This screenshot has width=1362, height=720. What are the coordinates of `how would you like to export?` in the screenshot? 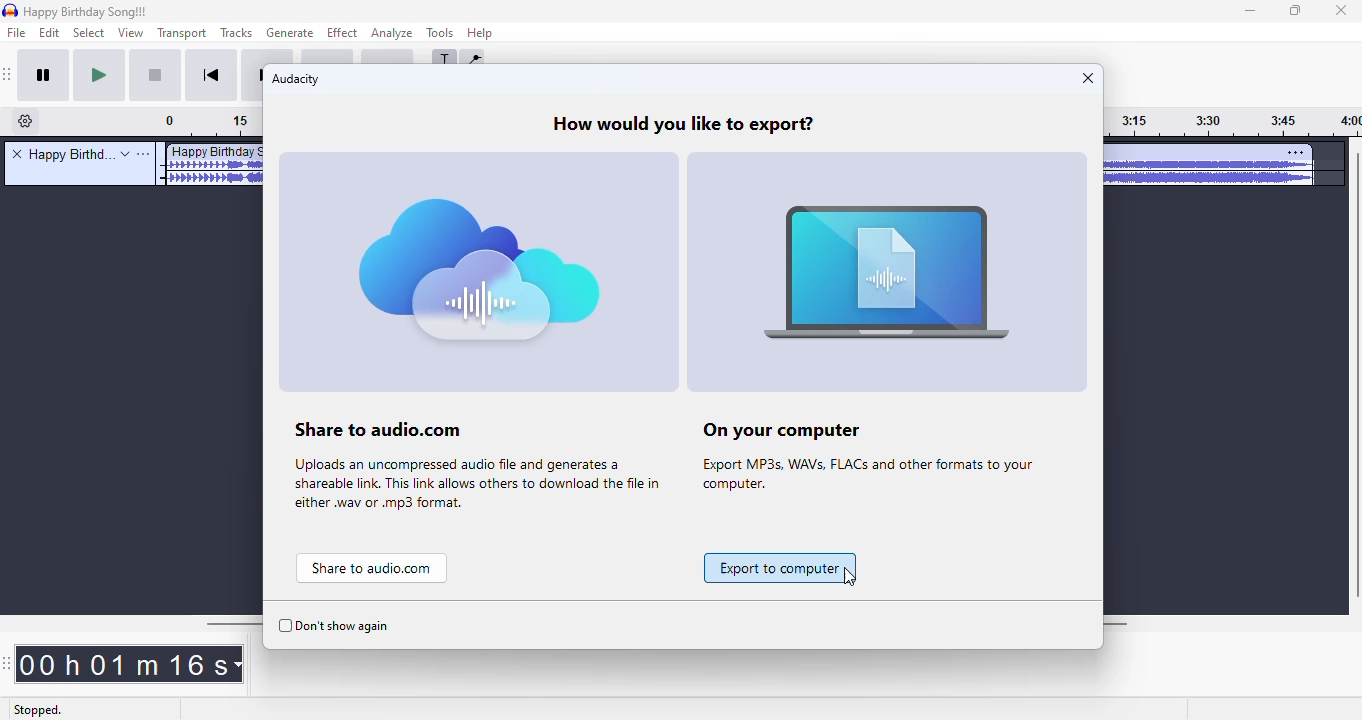 It's located at (684, 124).